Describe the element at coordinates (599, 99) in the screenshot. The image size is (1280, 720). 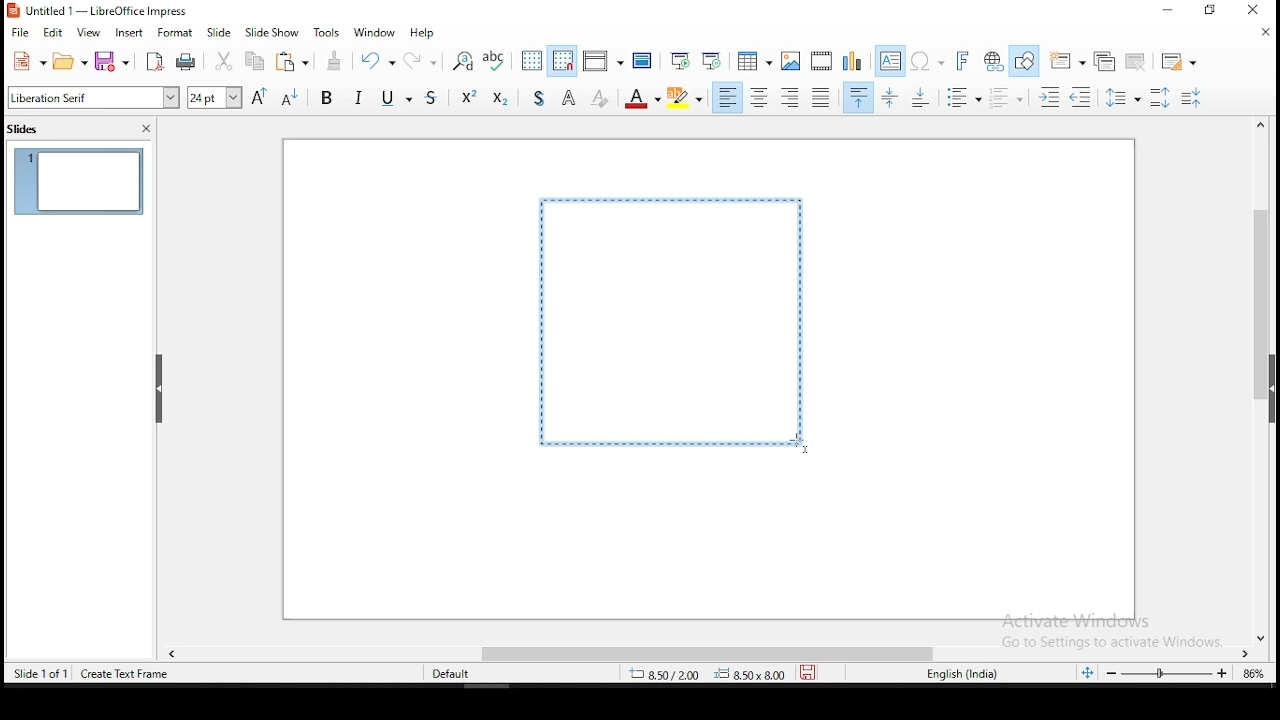
I see `clear direct formatting` at that location.